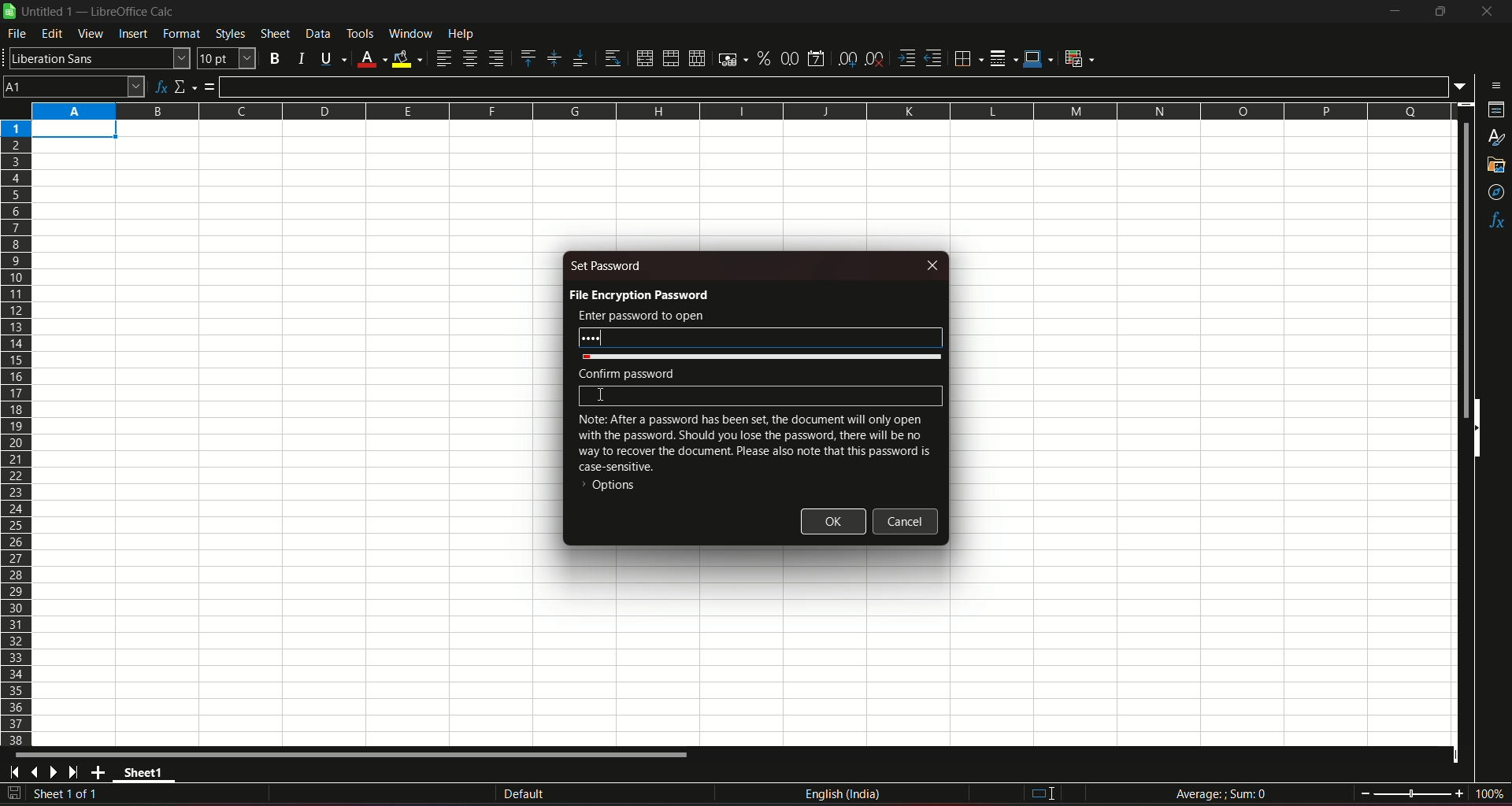 The image size is (1512, 806). I want to click on conditional, so click(1084, 59).